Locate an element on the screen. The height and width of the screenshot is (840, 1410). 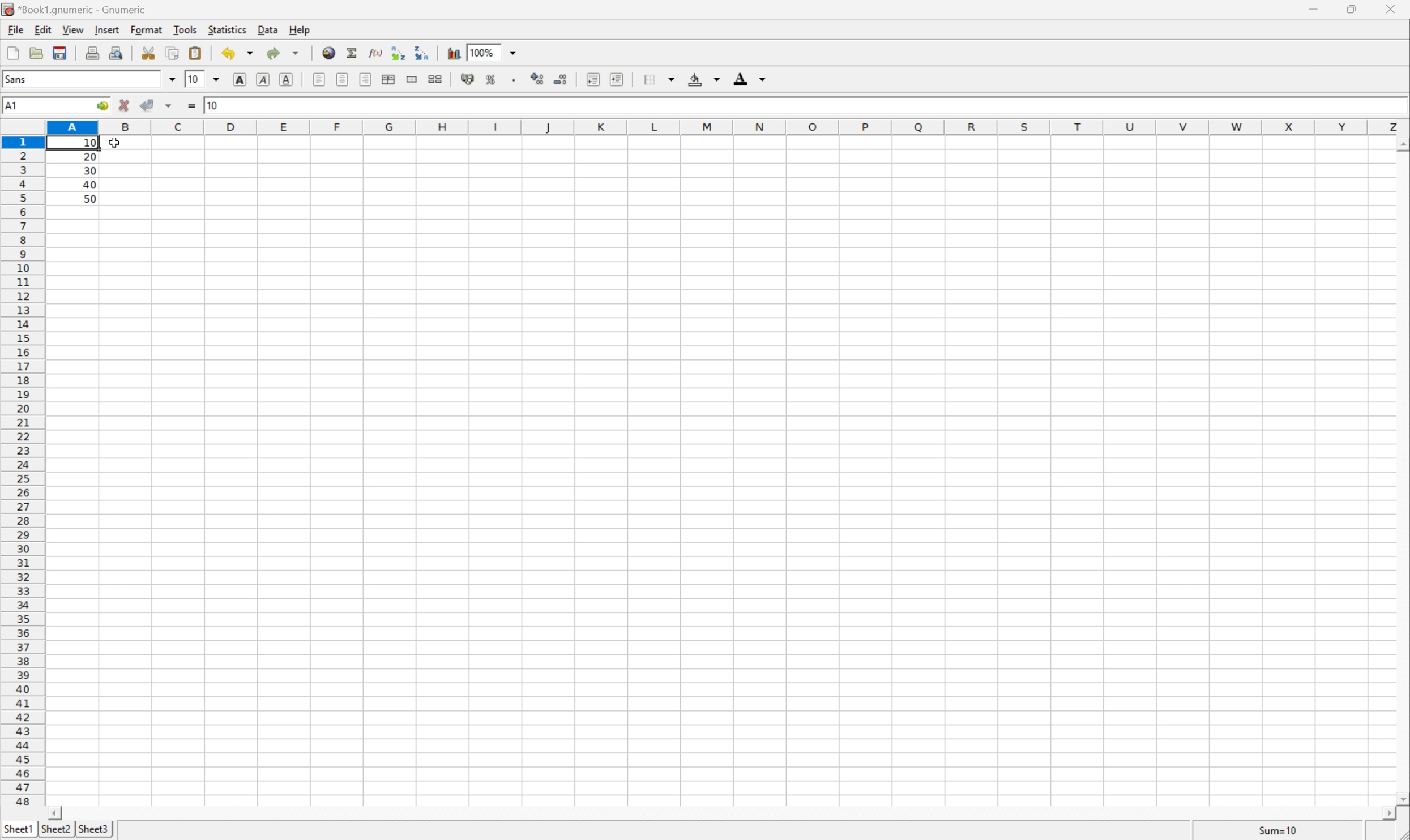
Paste clipboard is located at coordinates (195, 53).